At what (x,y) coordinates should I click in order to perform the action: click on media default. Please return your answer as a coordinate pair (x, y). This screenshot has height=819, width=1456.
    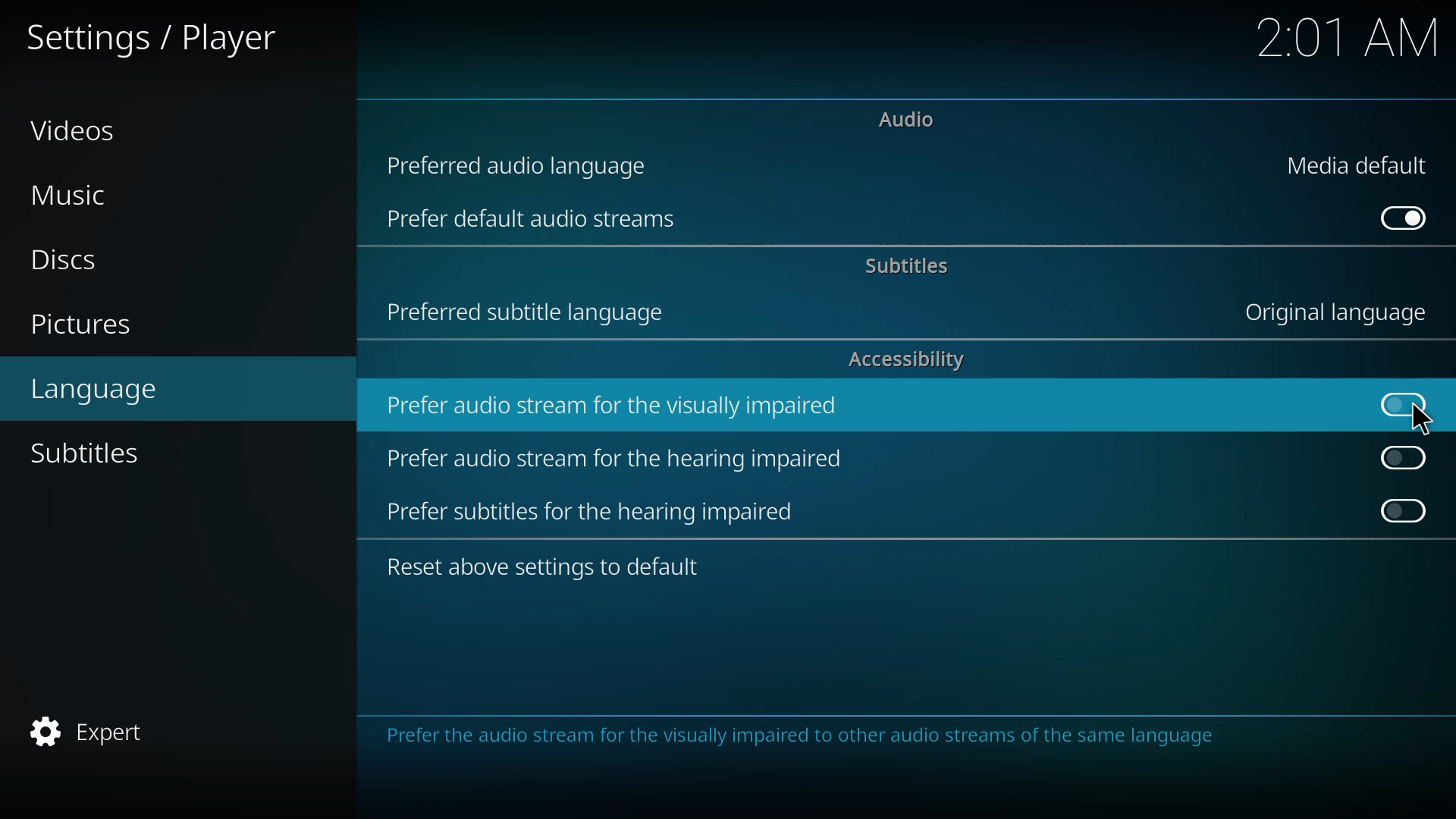
    Looking at the image, I should click on (1358, 165).